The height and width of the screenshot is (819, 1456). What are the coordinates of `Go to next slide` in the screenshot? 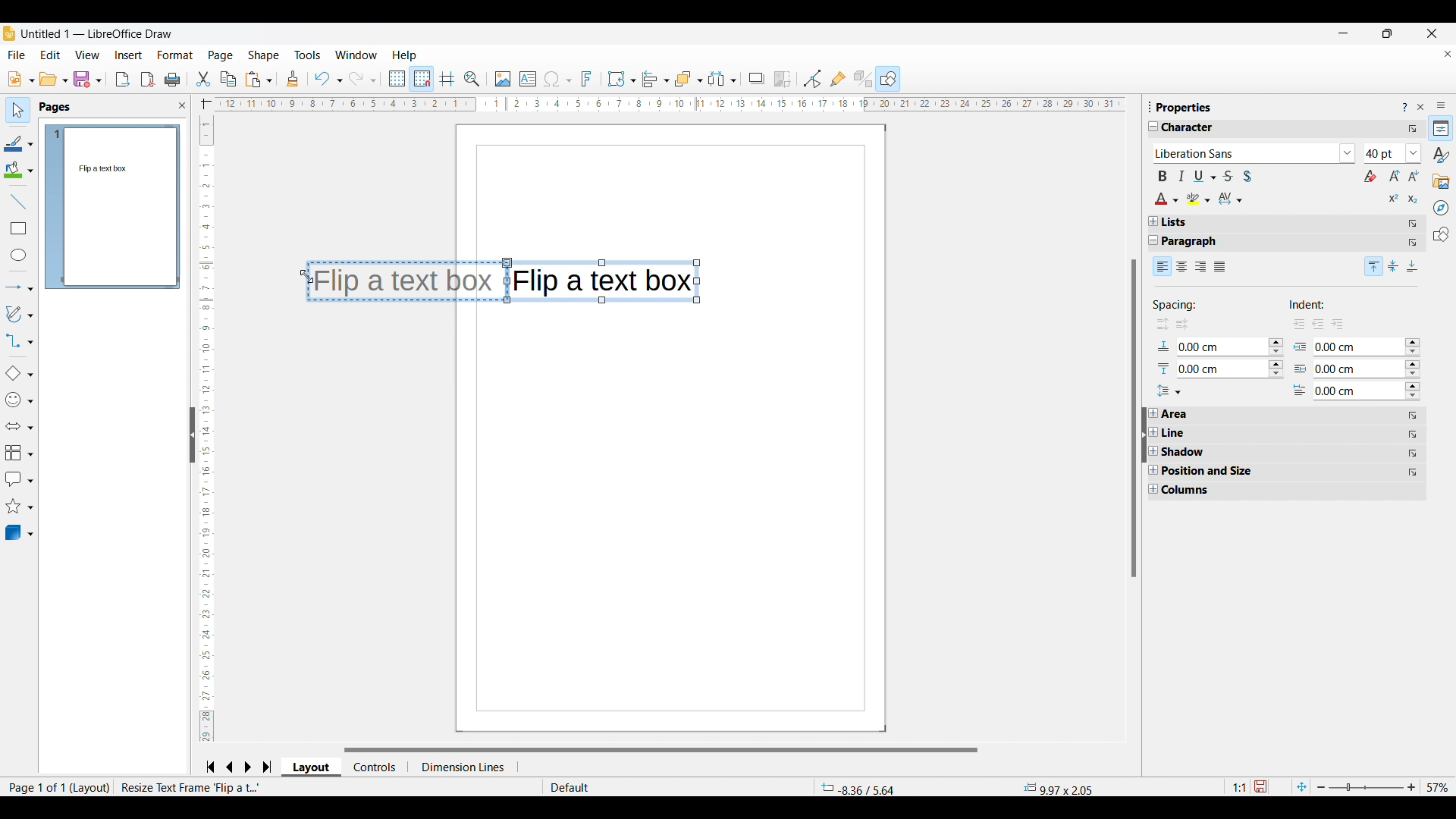 It's located at (247, 767).